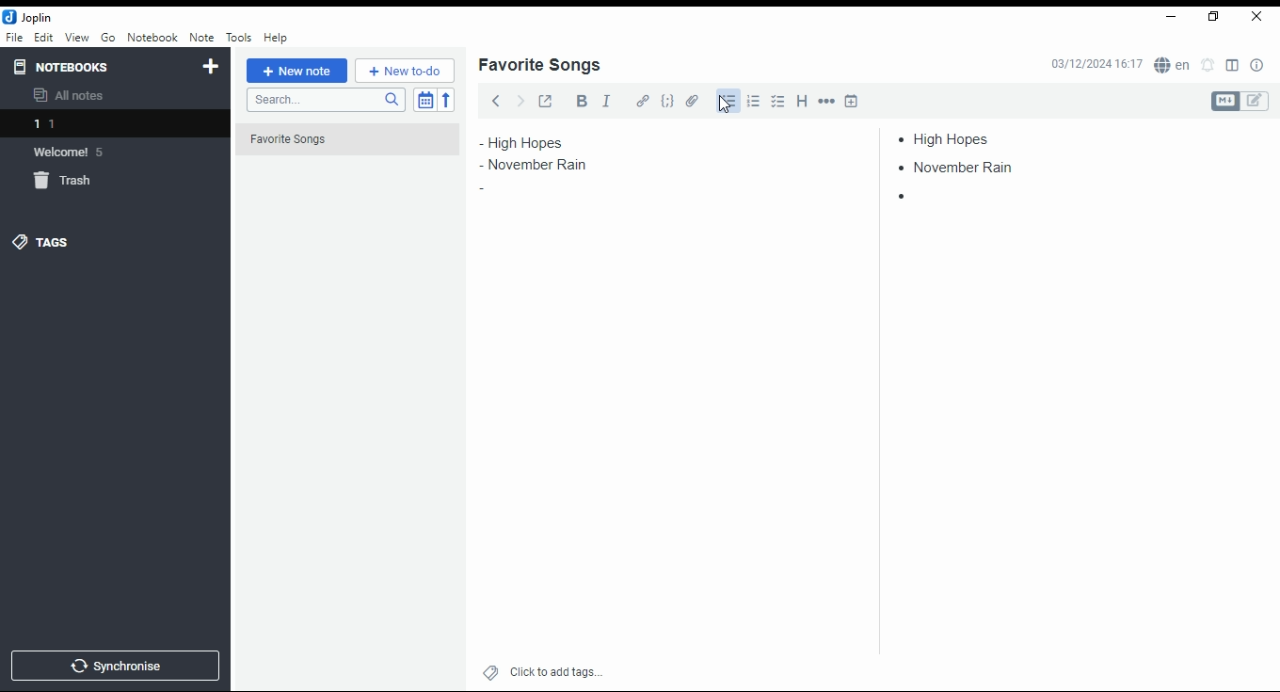 The height and width of the screenshot is (692, 1280). What do you see at coordinates (14, 36) in the screenshot?
I see `file` at bounding box center [14, 36].